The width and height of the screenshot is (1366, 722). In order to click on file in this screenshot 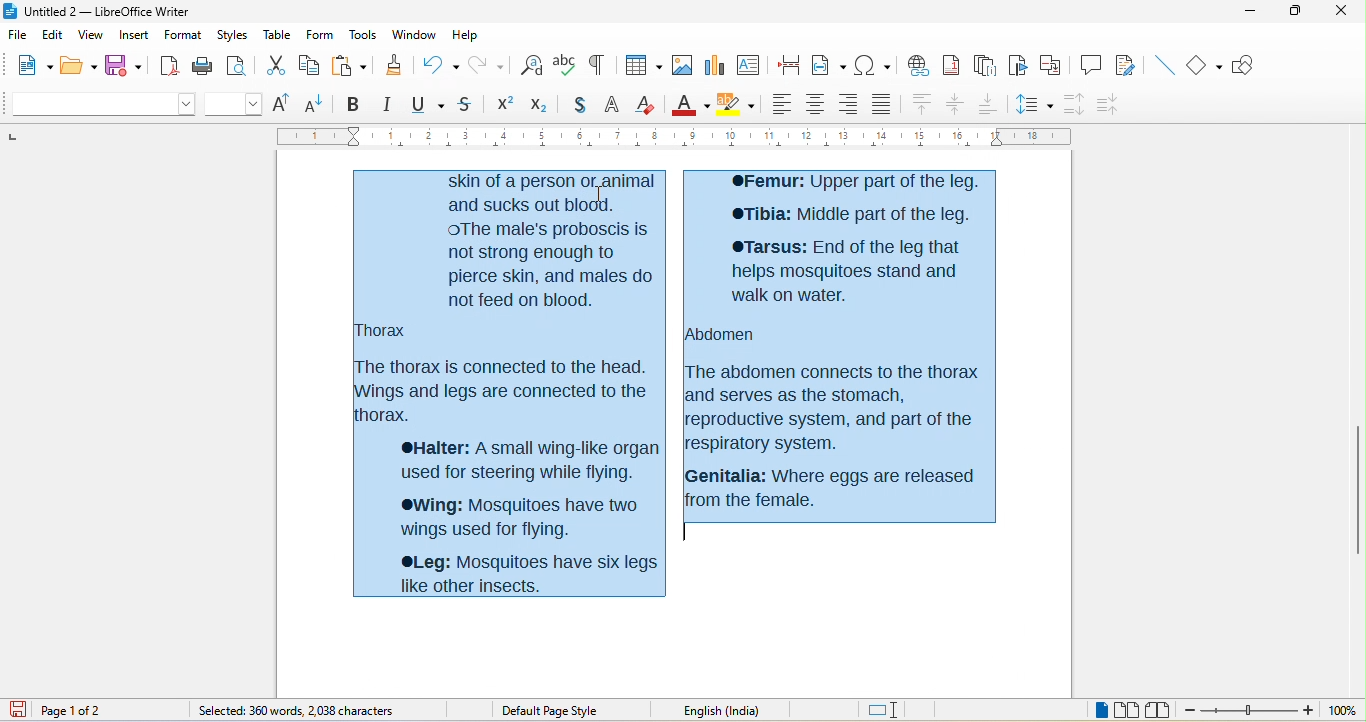, I will do `click(17, 36)`.